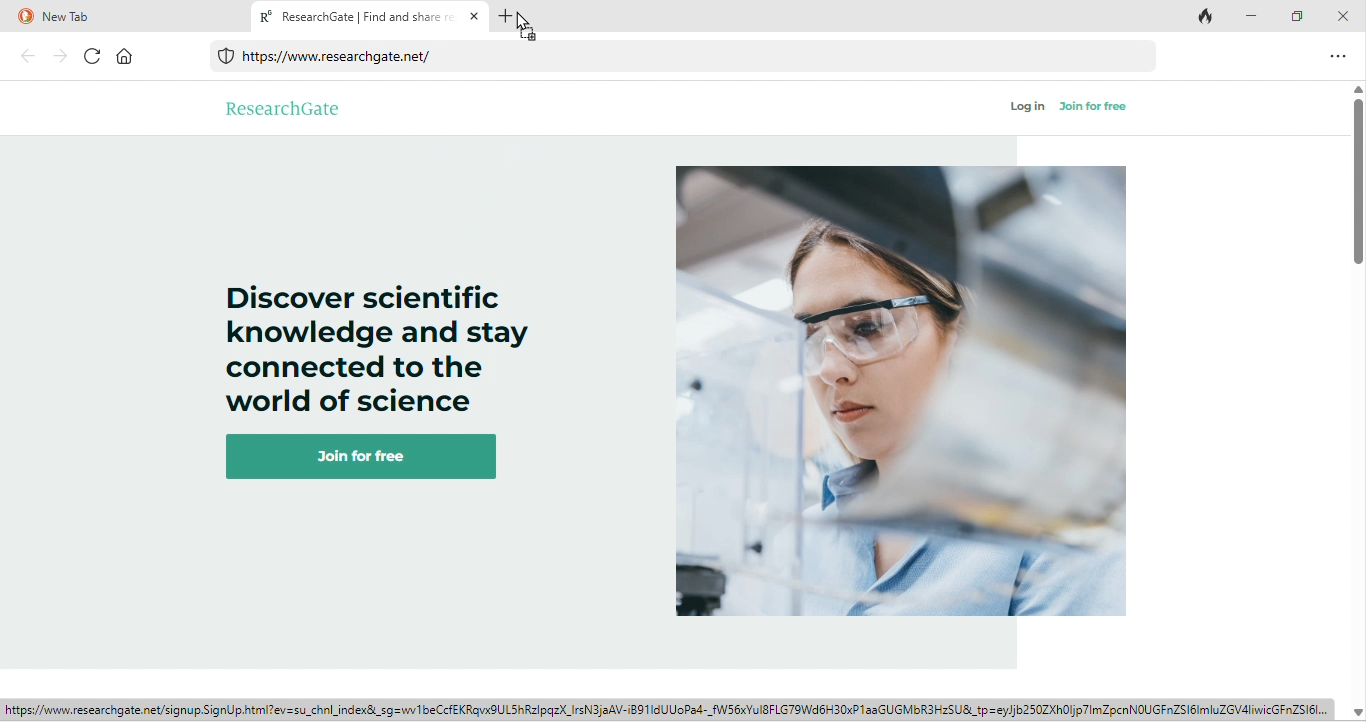 This screenshot has height=722, width=1366. I want to click on https//www.researchgate.net/, so click(689, 57).